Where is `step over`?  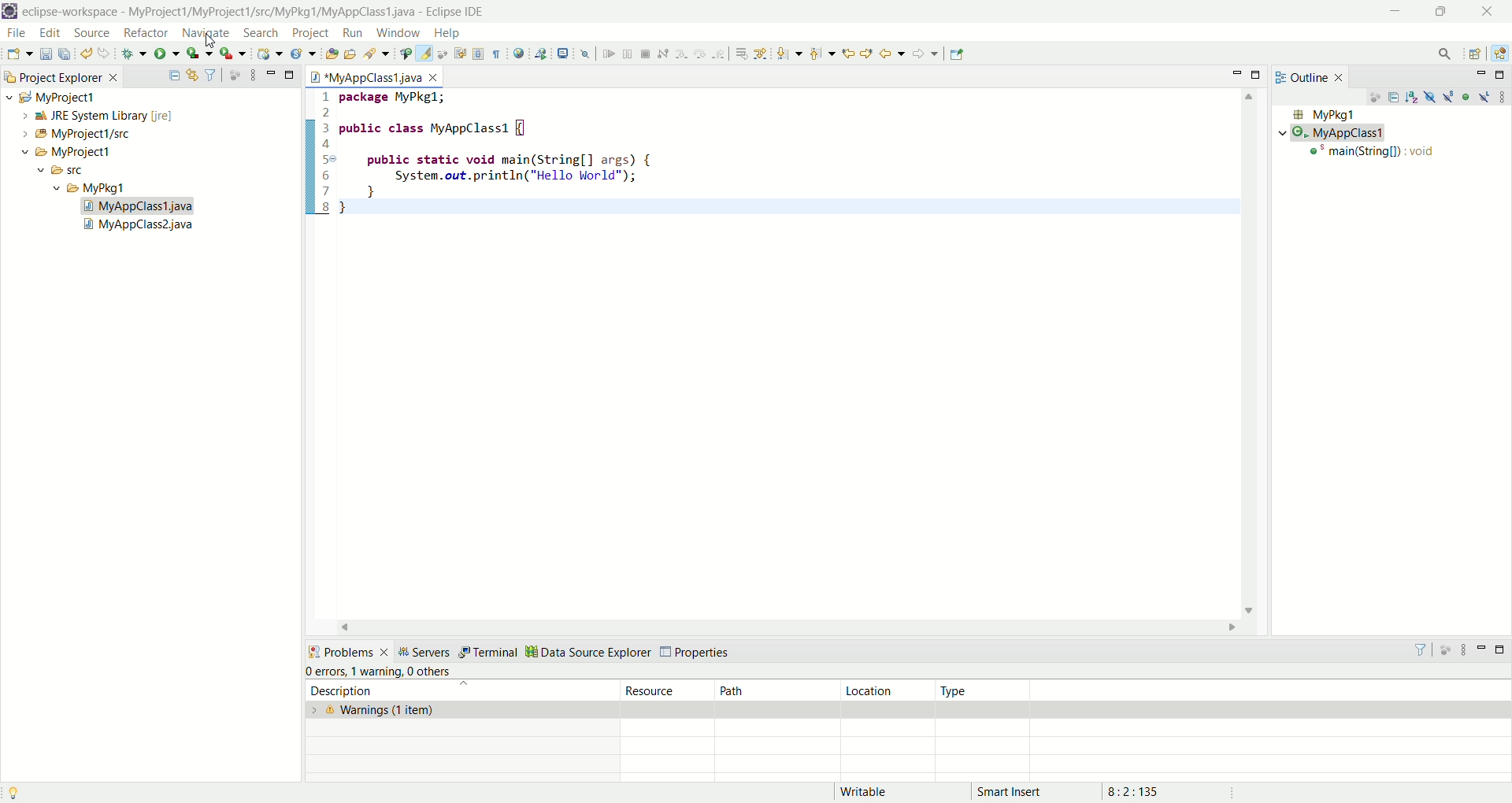 step over is located at coordinates (701, 55).